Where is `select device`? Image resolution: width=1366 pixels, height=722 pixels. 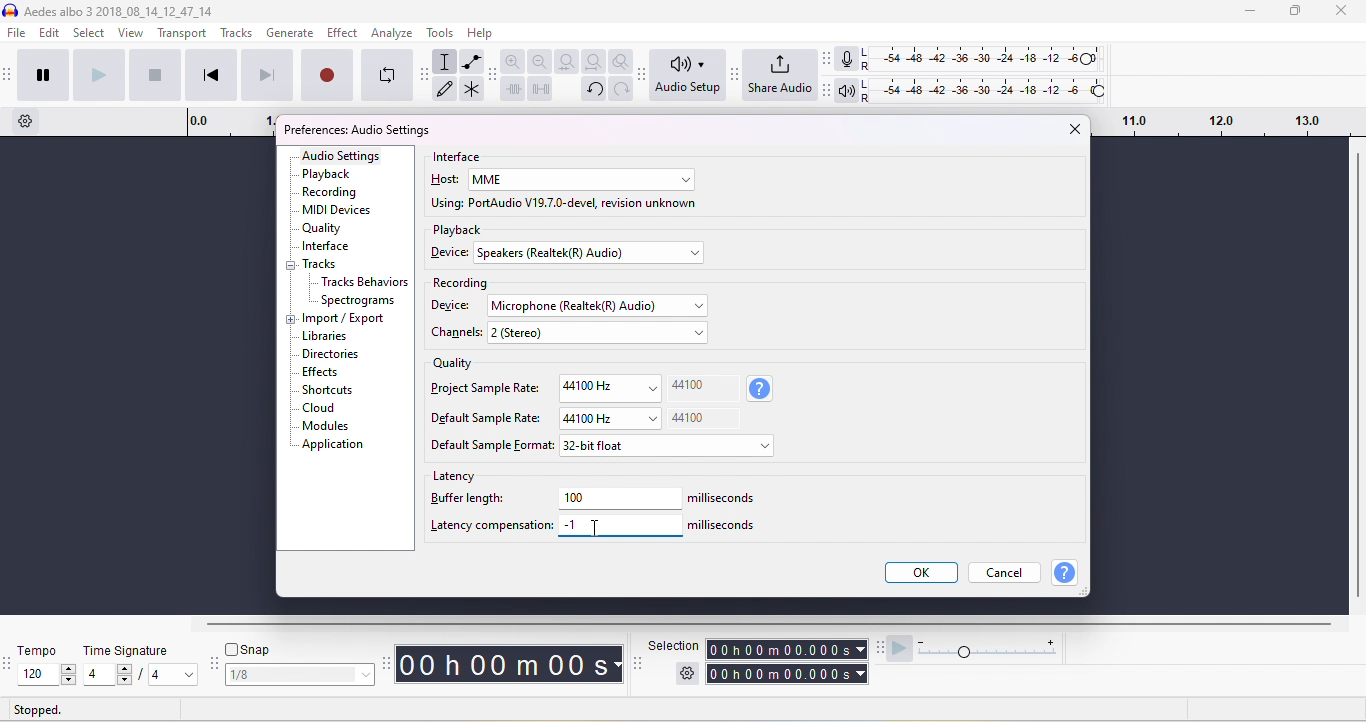
select device is located at coordinates (590, 254).